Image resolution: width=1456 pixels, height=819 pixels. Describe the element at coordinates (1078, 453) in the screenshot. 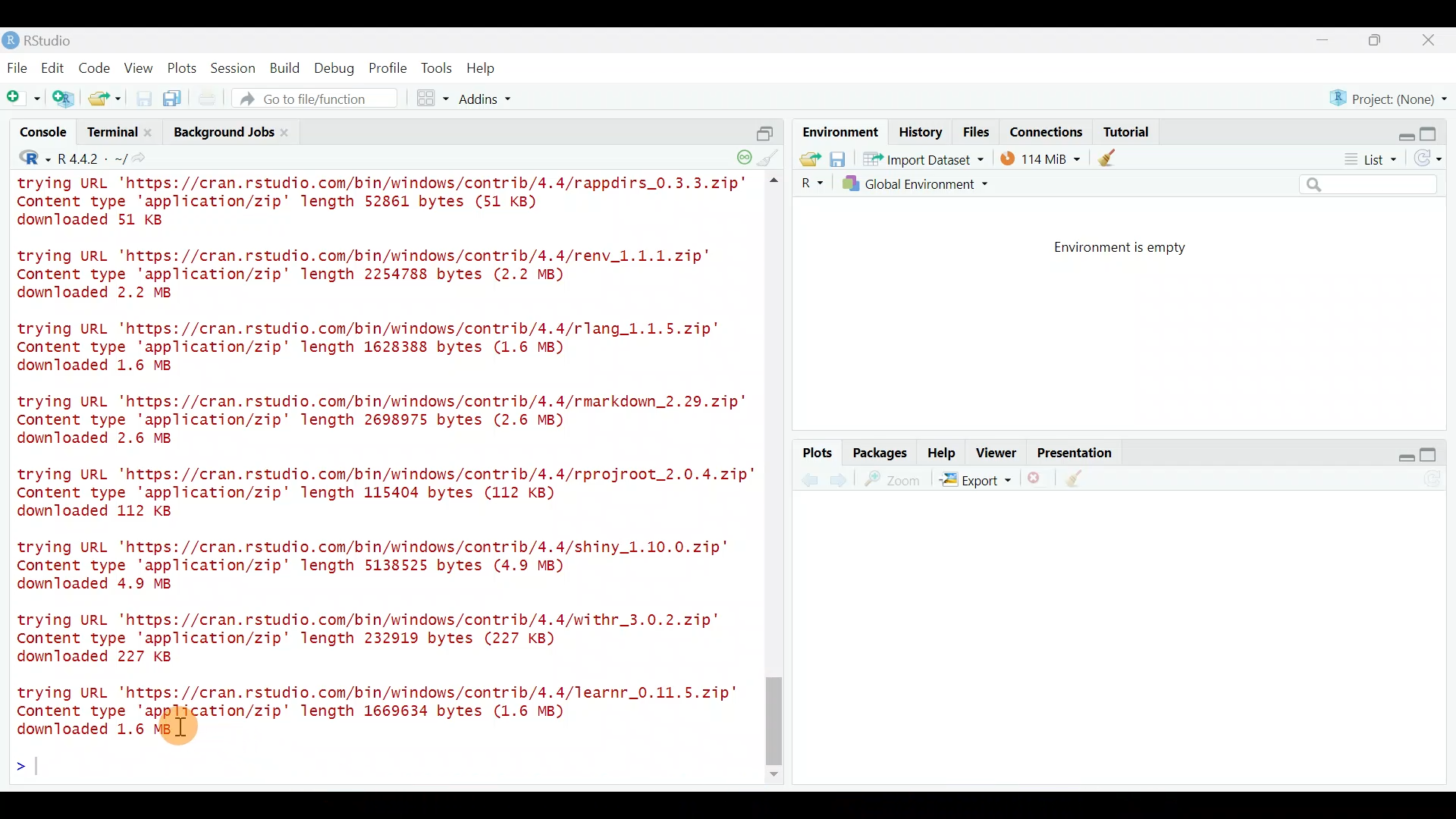

I see `Presentation` at that location.